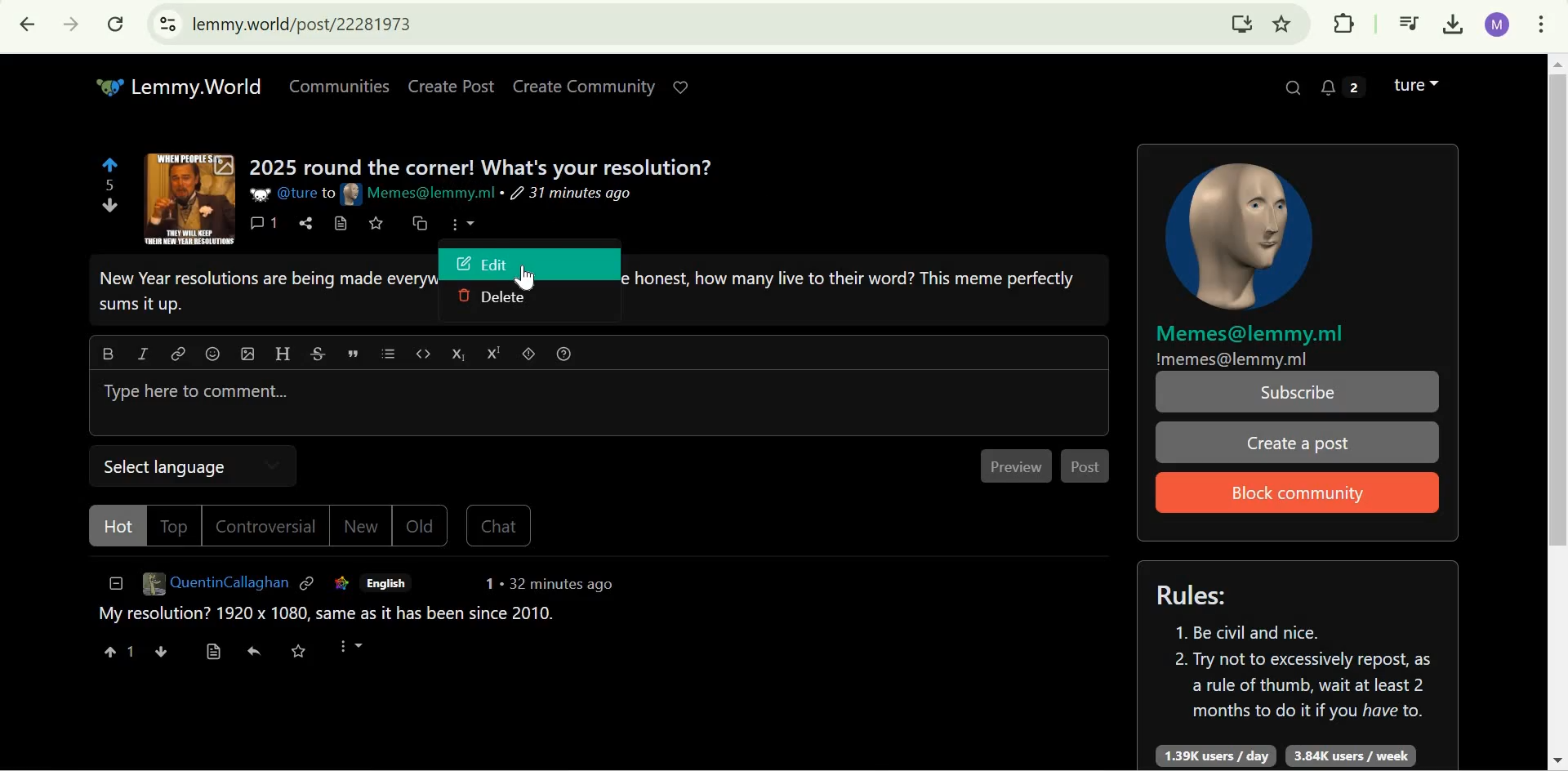 Image resolution: width=1568 pixels, height=771 pixels. What do you see at coordinates (499, 526) in the screenshot?
I see `Chat` at bounding box center [499, 526].